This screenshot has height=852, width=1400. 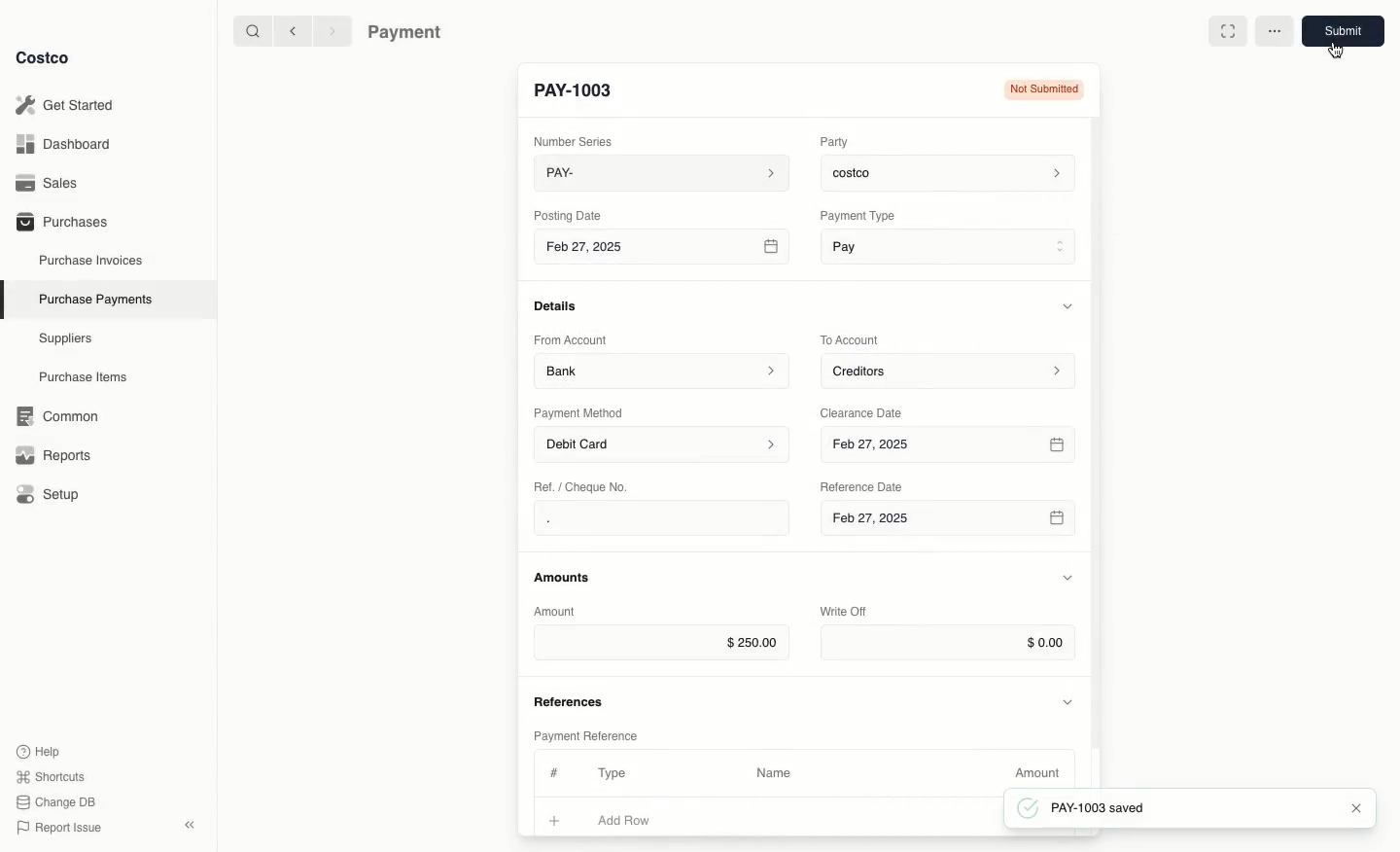 What do you see at coordinates (662, 370) in the screenshot?
I see `Bank` at bounding box center [662, 370].